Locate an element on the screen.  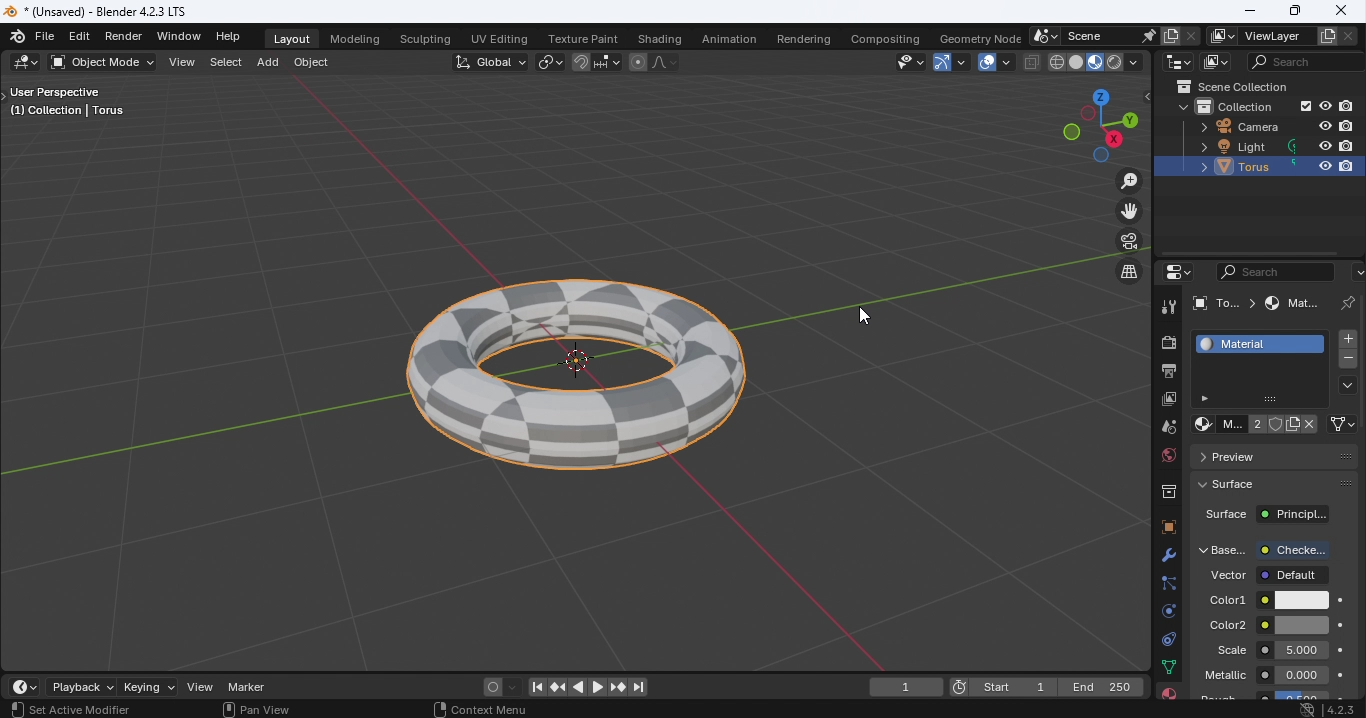
Texture paint is located at coordinates (584, 37).